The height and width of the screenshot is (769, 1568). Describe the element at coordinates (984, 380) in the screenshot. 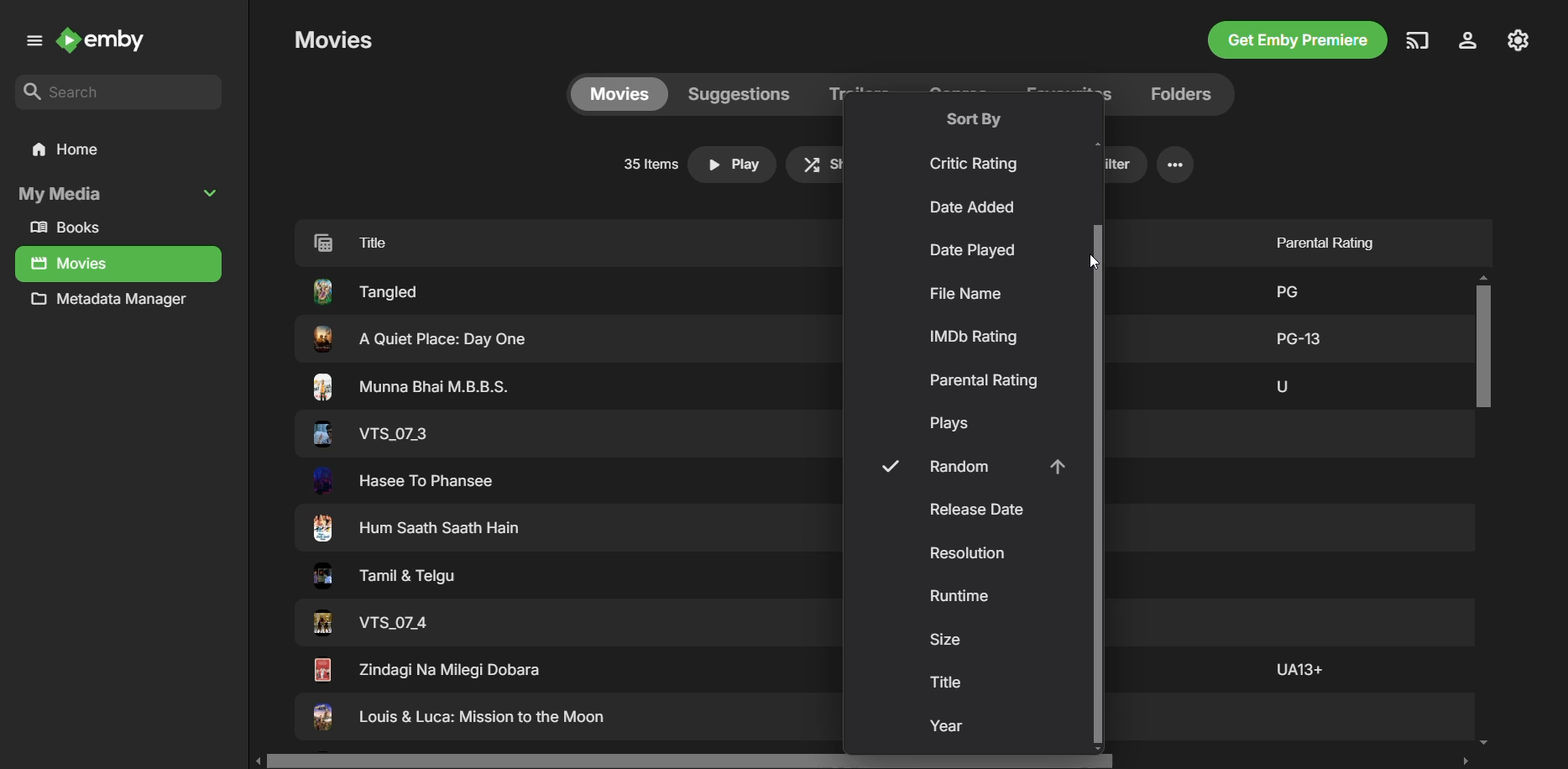

I see `Parental Rating` at that location.